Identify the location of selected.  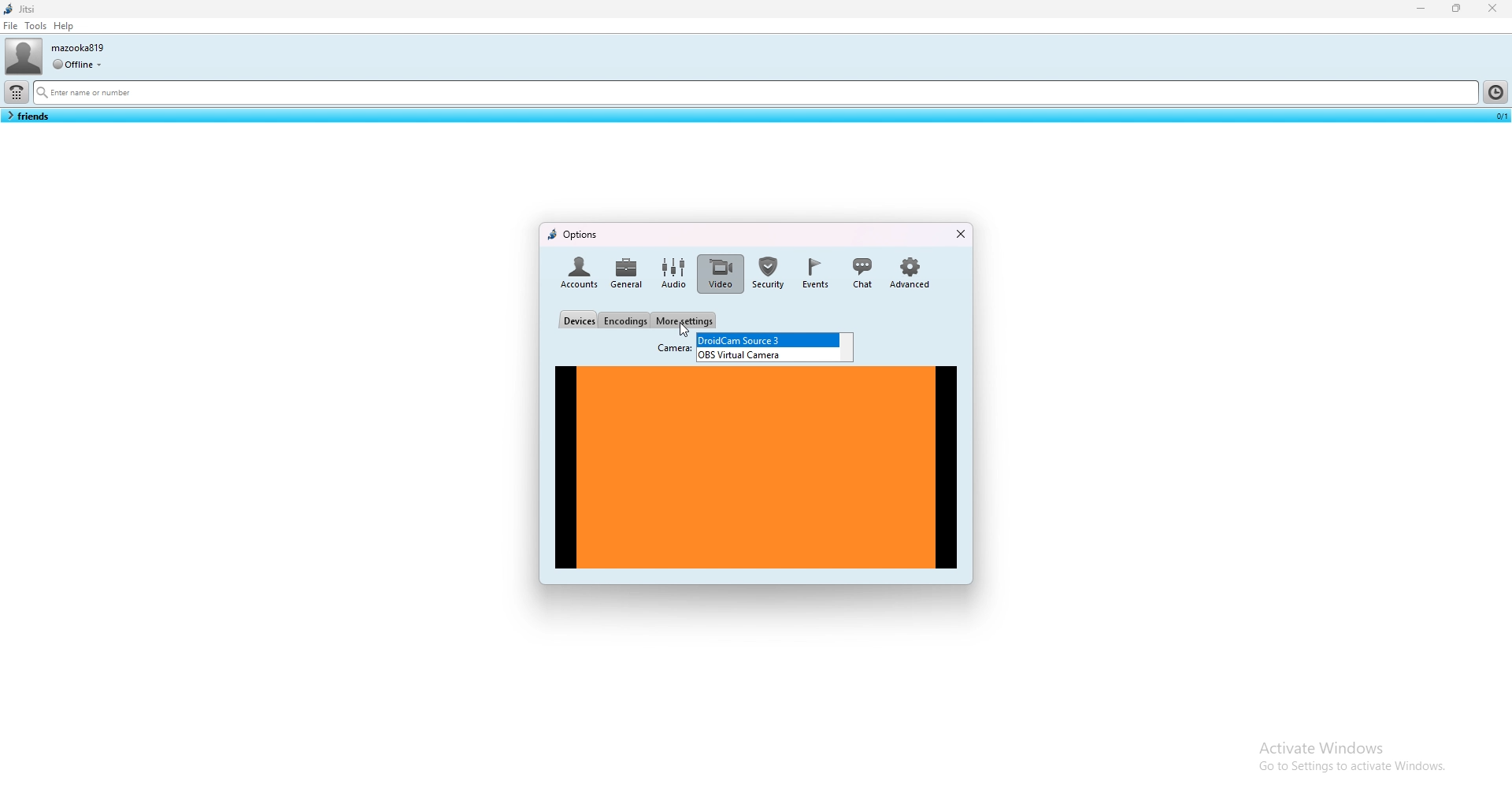
(1499, 115).